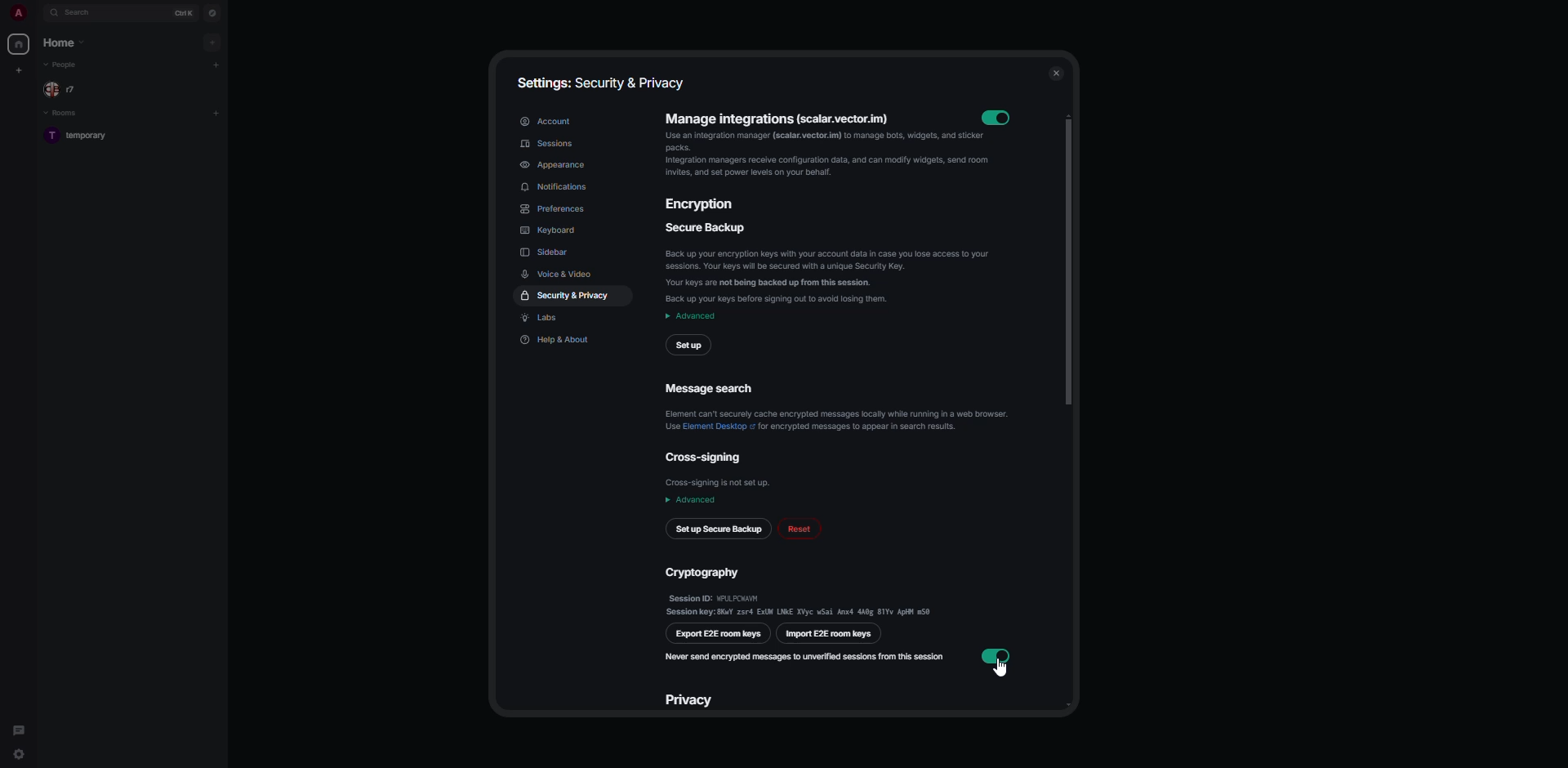 This screenshot has width=1568, height=768. What do you see at coordinates (18, 12) in the screenshot?
I see `profile` at bounding box center [18, 12].